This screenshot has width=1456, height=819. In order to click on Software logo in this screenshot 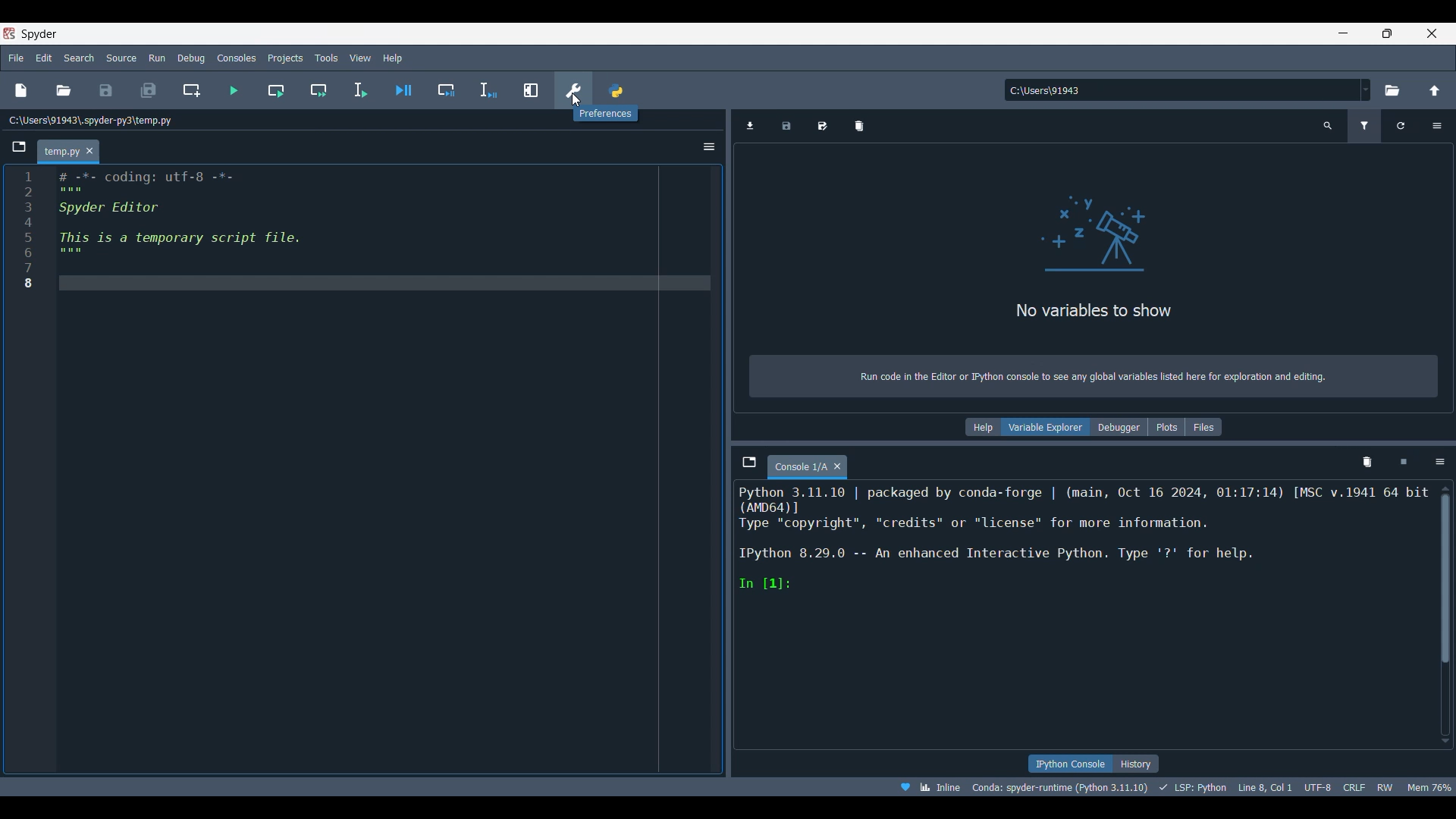, I will do `click(39, 34)`.